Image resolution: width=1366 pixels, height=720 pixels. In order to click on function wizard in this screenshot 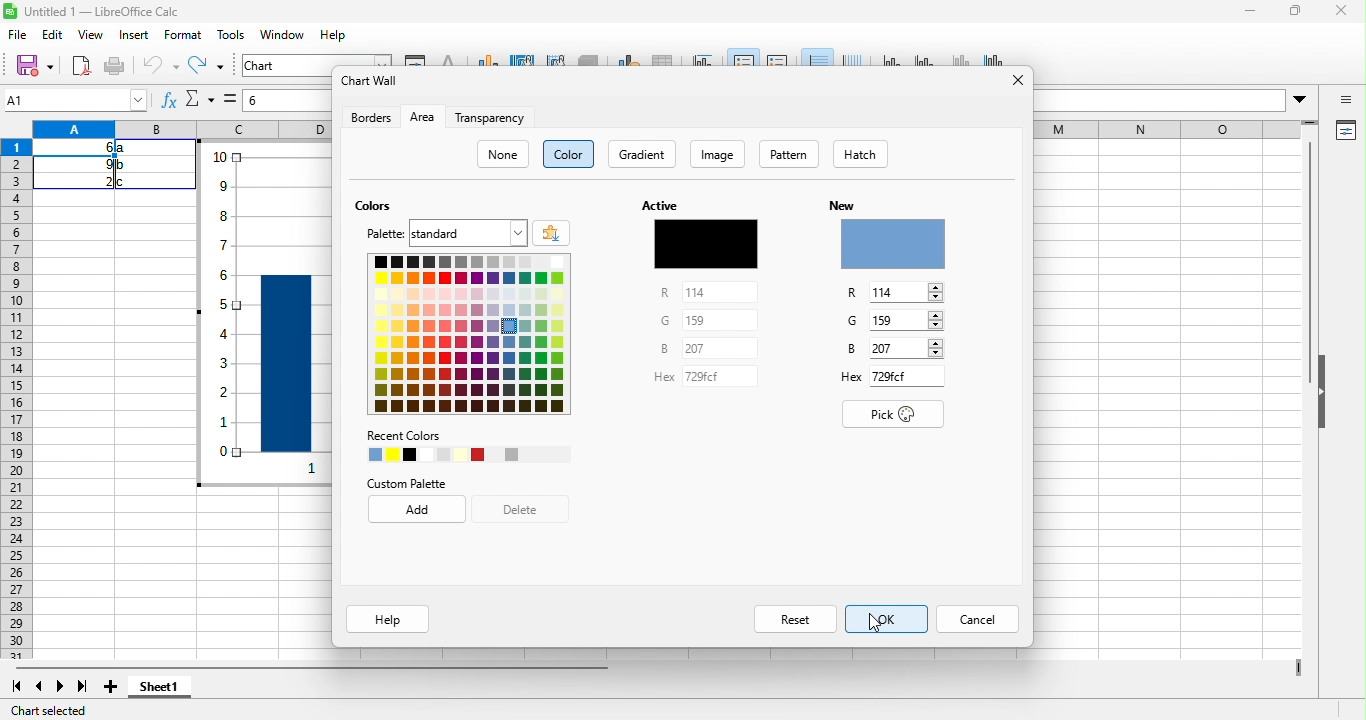, I will do `click(168, 101)`.